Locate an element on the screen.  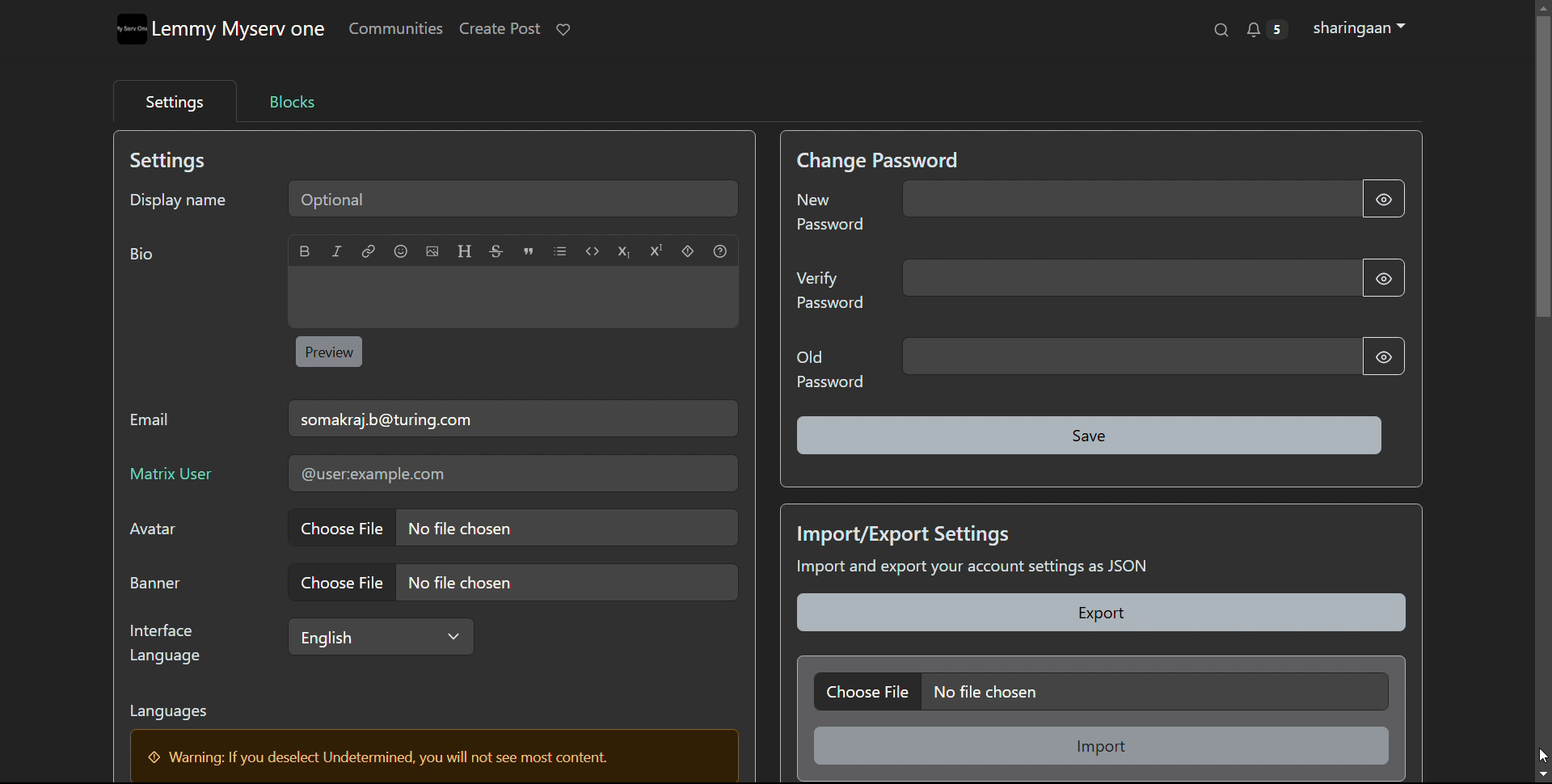
header is located at coordinates (465, 251).